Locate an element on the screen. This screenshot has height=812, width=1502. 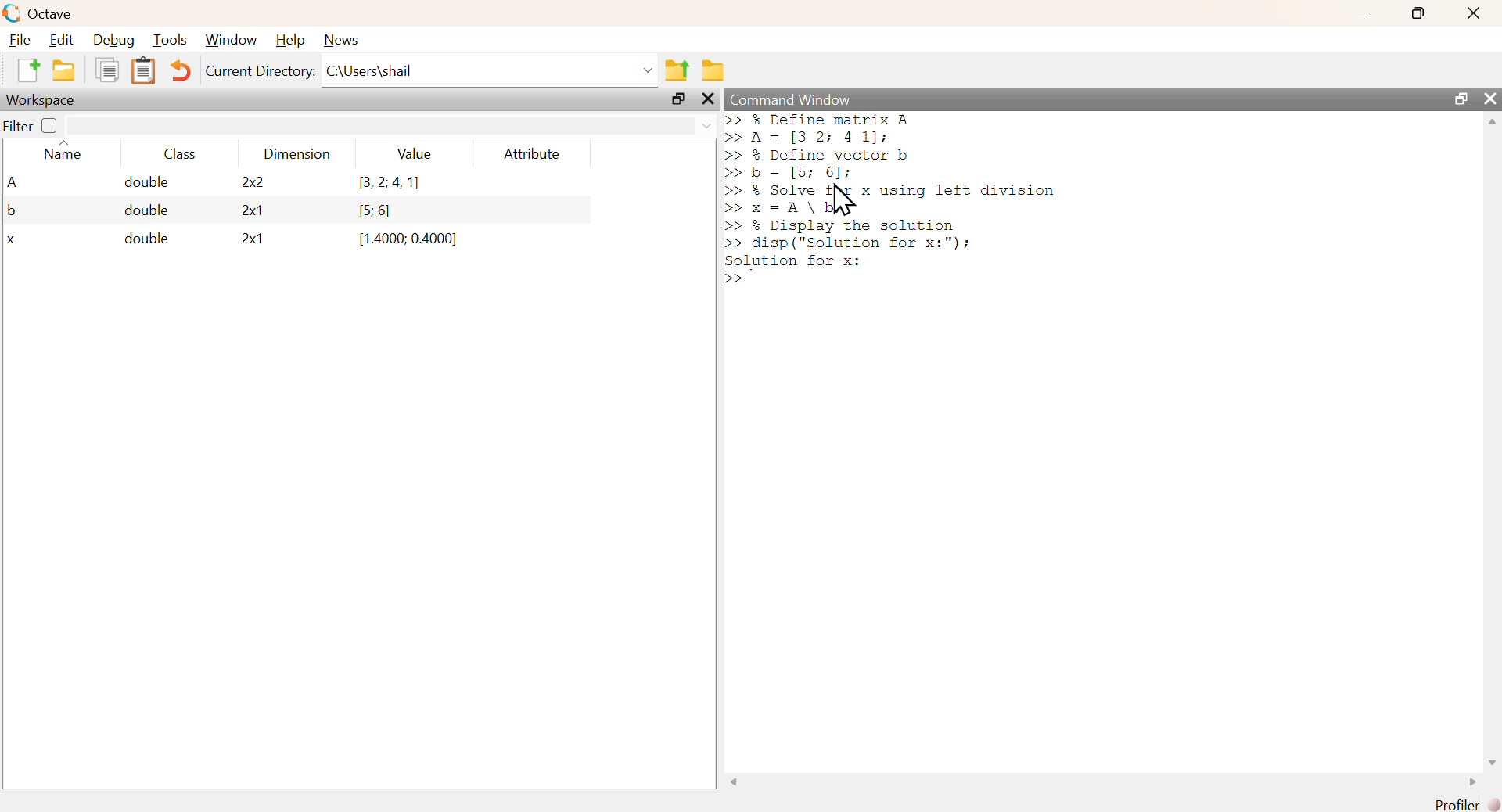
off is located at coordinates (49, 125).